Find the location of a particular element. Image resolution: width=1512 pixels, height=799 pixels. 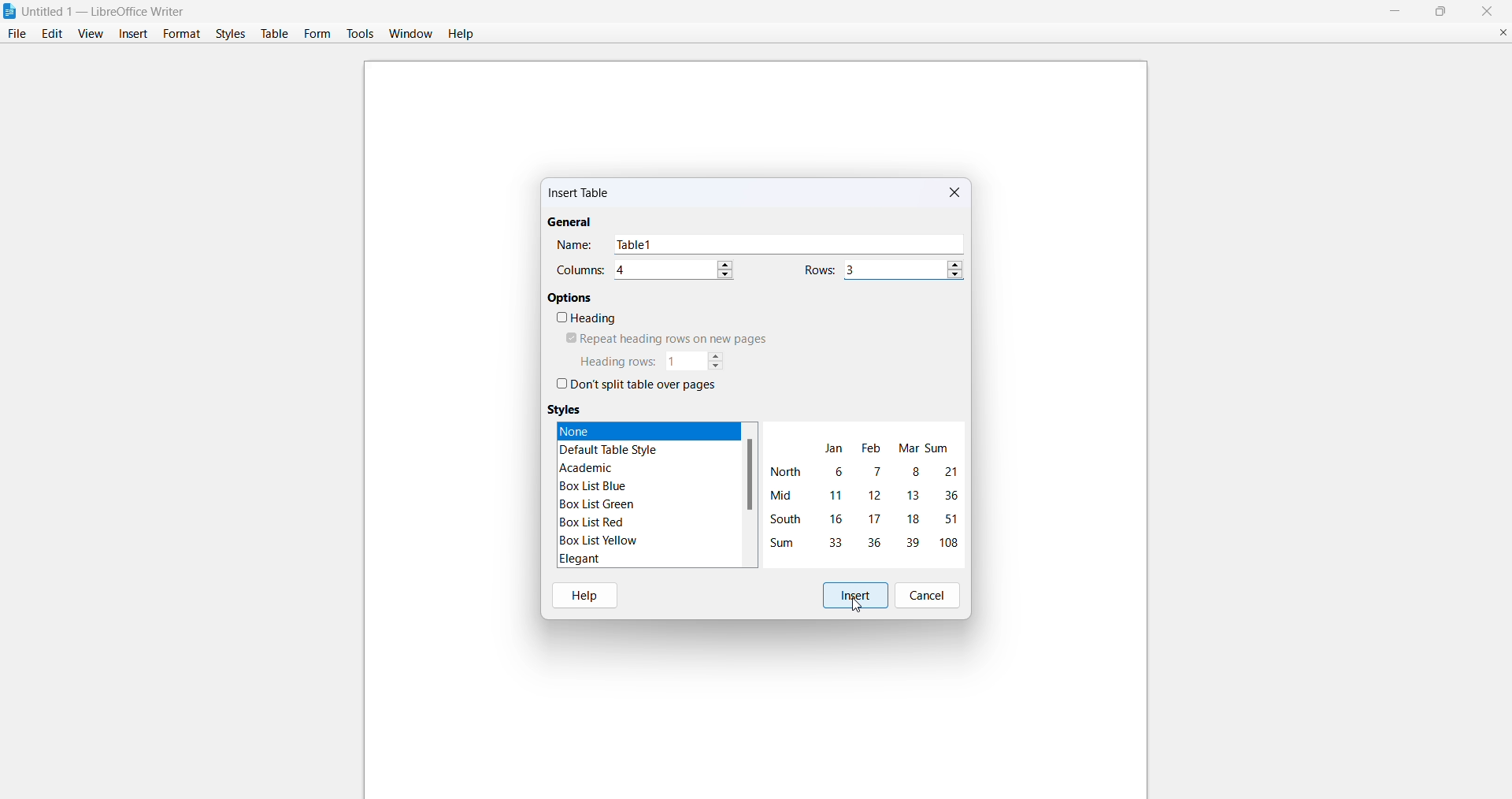

styles is located at coordinates (566, 409).